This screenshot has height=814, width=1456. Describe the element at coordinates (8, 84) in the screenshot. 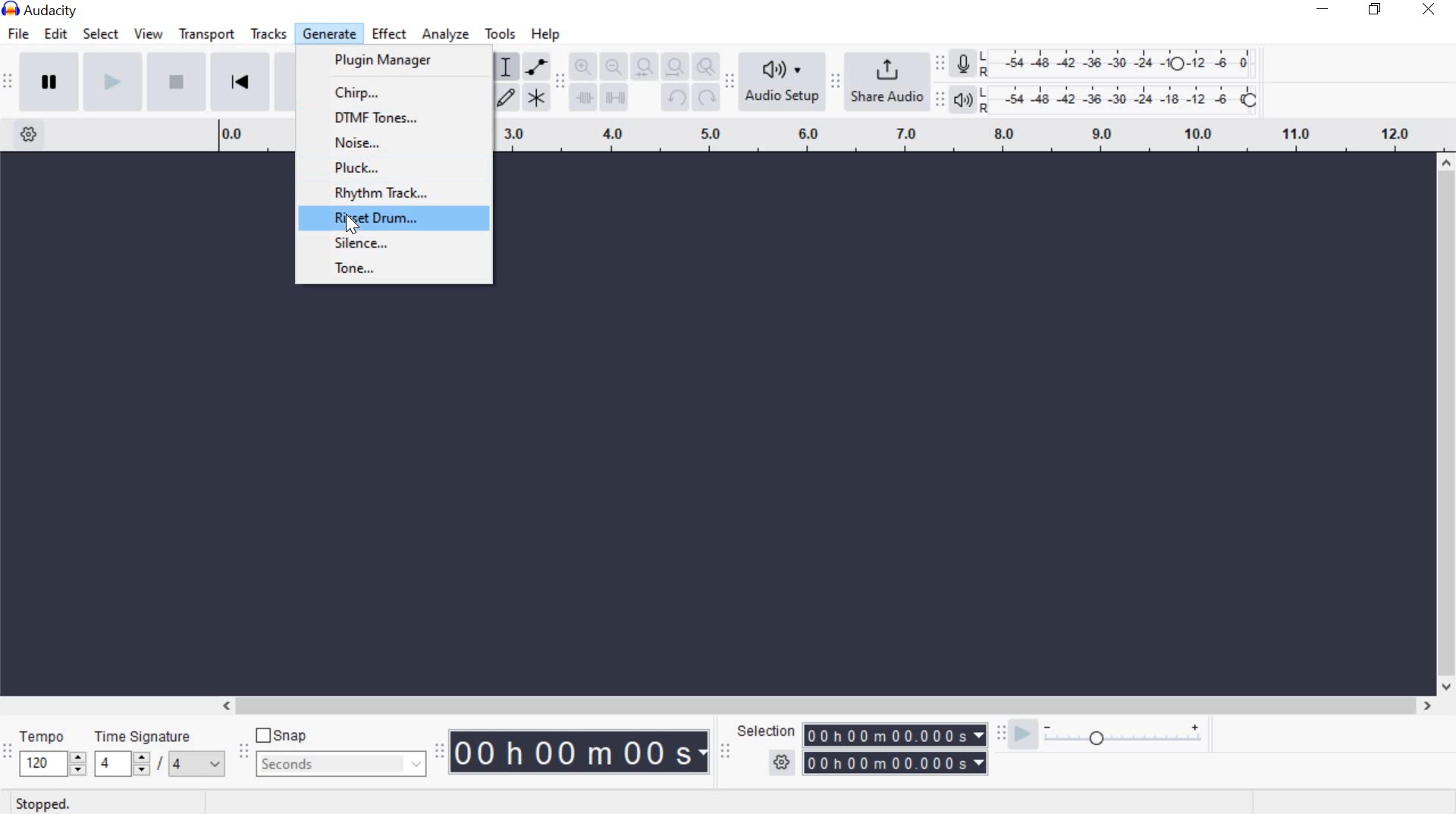

I see `Transport toolbar` at that location.